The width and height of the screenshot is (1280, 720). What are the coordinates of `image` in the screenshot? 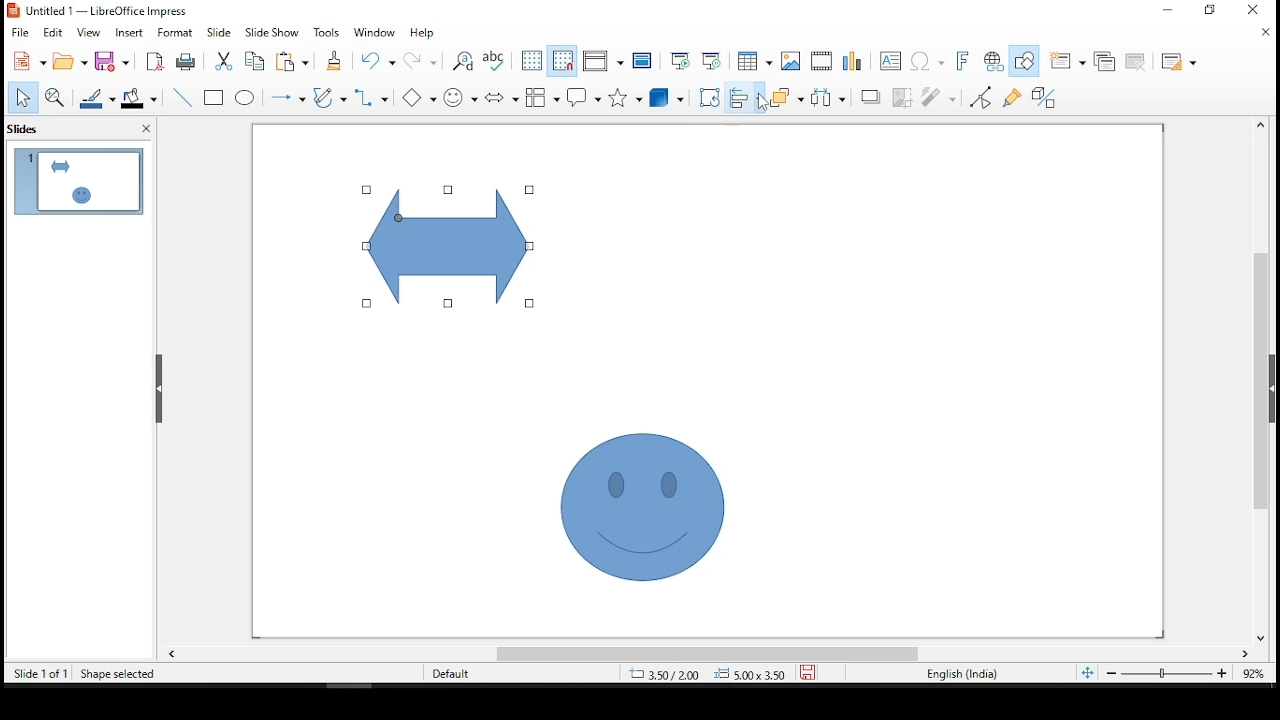 It's located at (791, 60).